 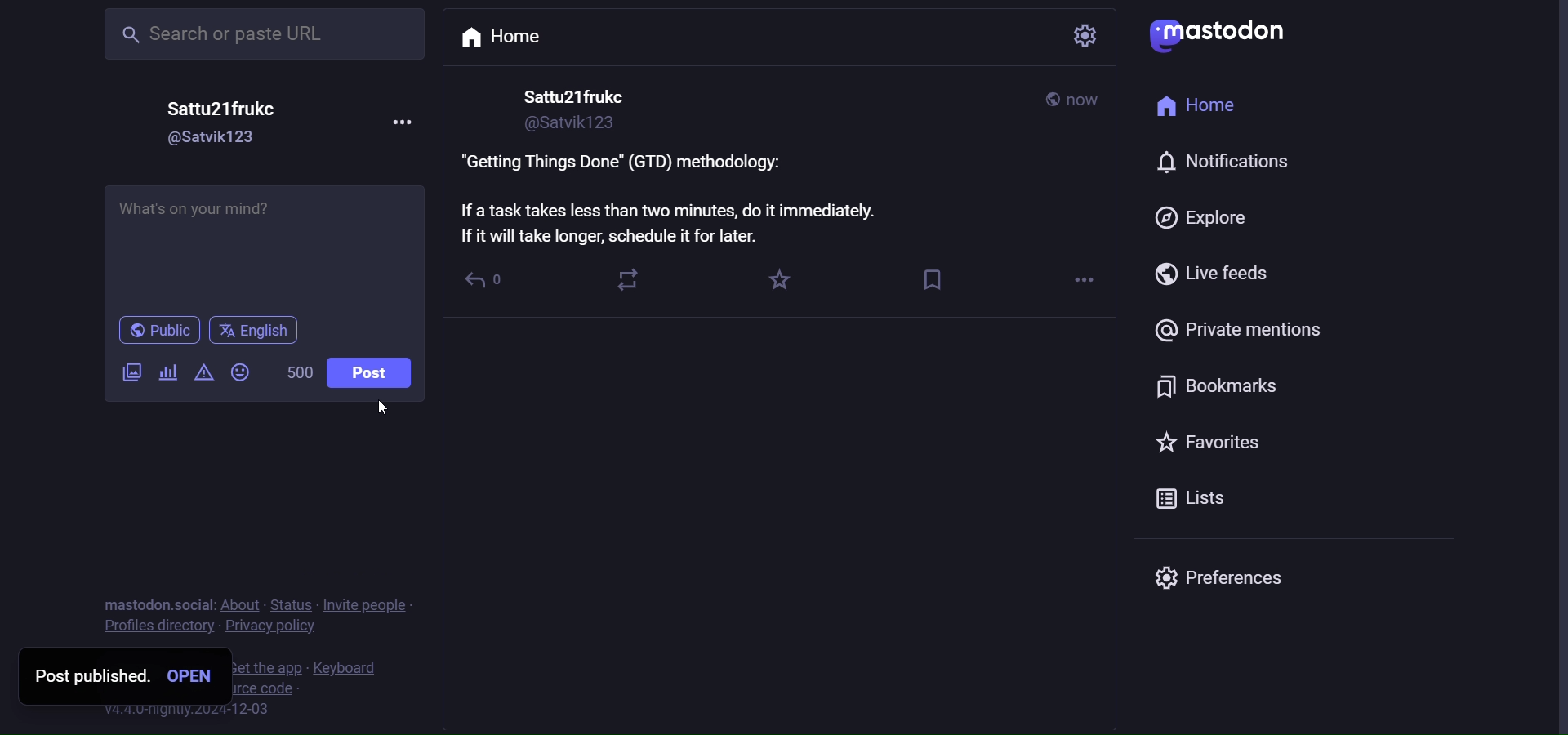 What do you see at coordinates (368, 373) in the screenshot?
I see `post` at bounding box center [368, 373].